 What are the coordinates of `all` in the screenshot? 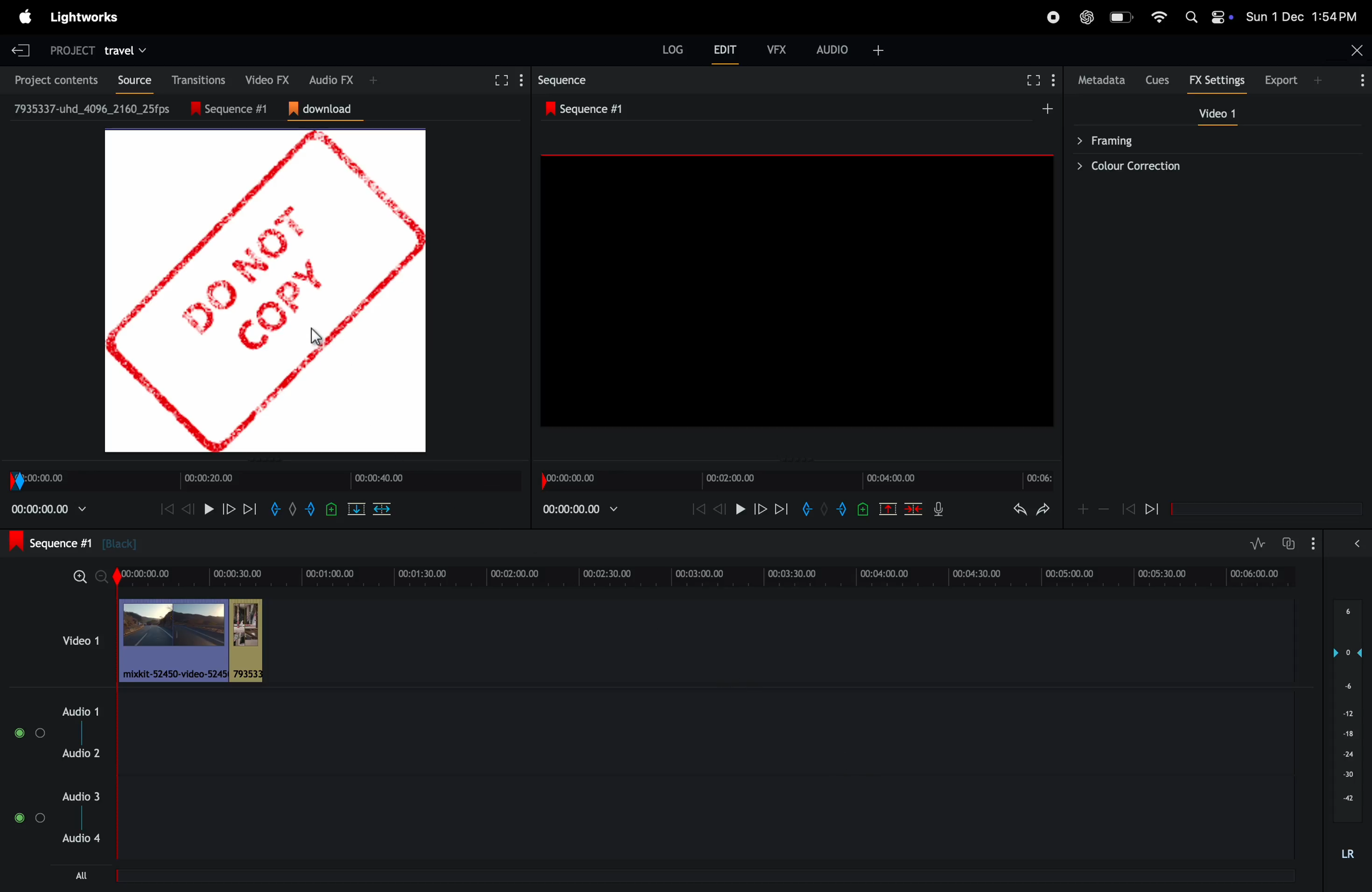 It's located at (82, 875).